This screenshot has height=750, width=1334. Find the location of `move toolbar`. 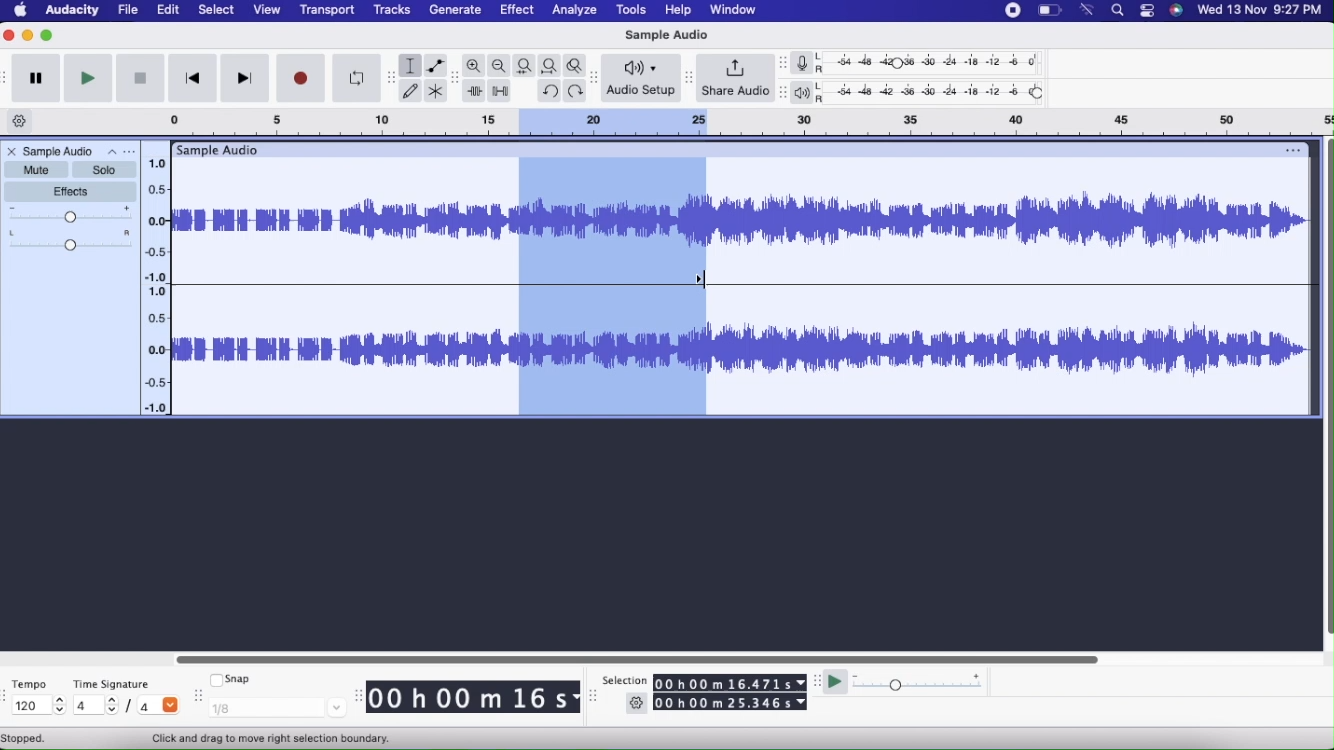

move toolbar is located at coordinates (8, 78).